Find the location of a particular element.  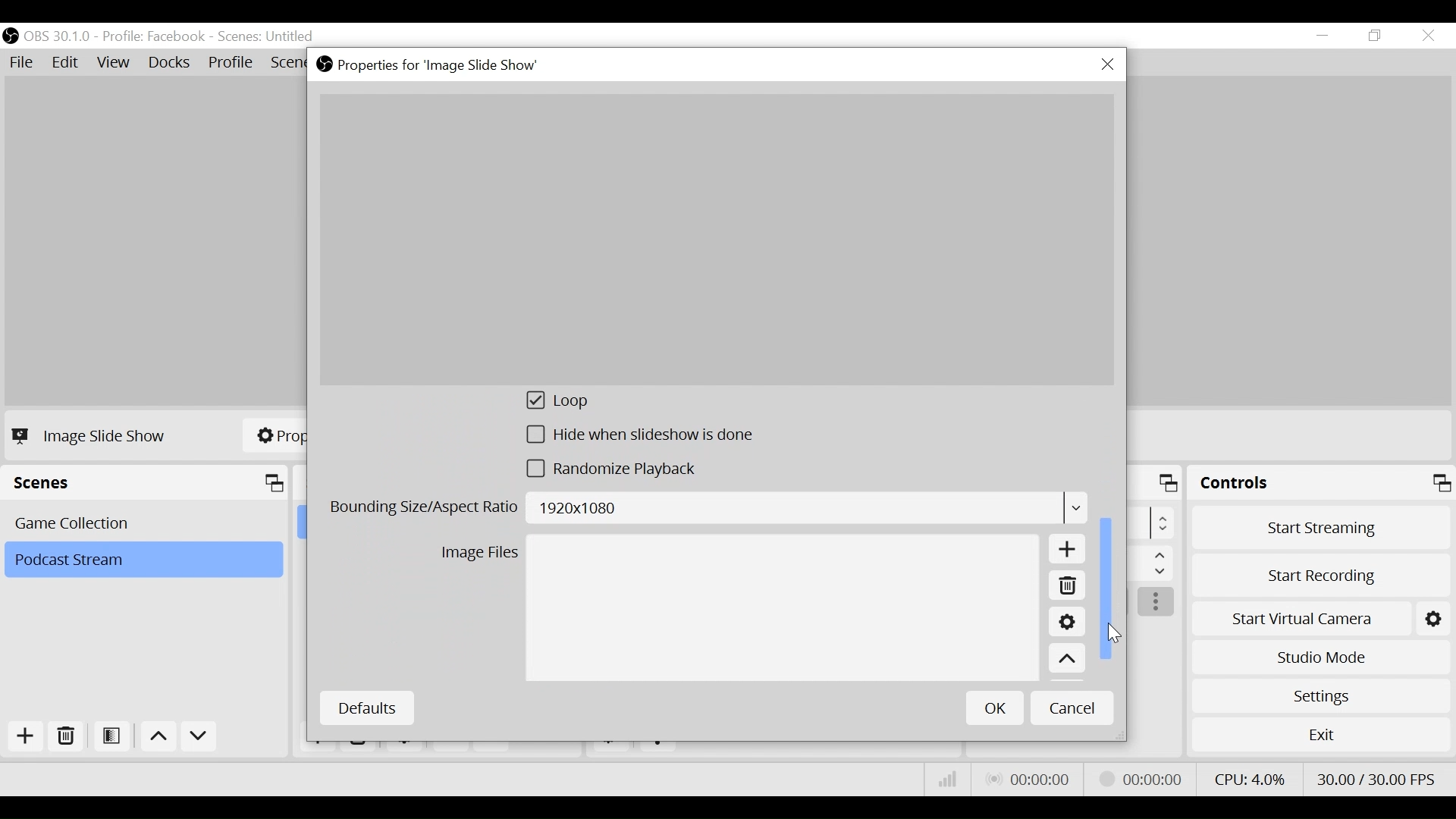

Profile is located at coordinates (154, 36).